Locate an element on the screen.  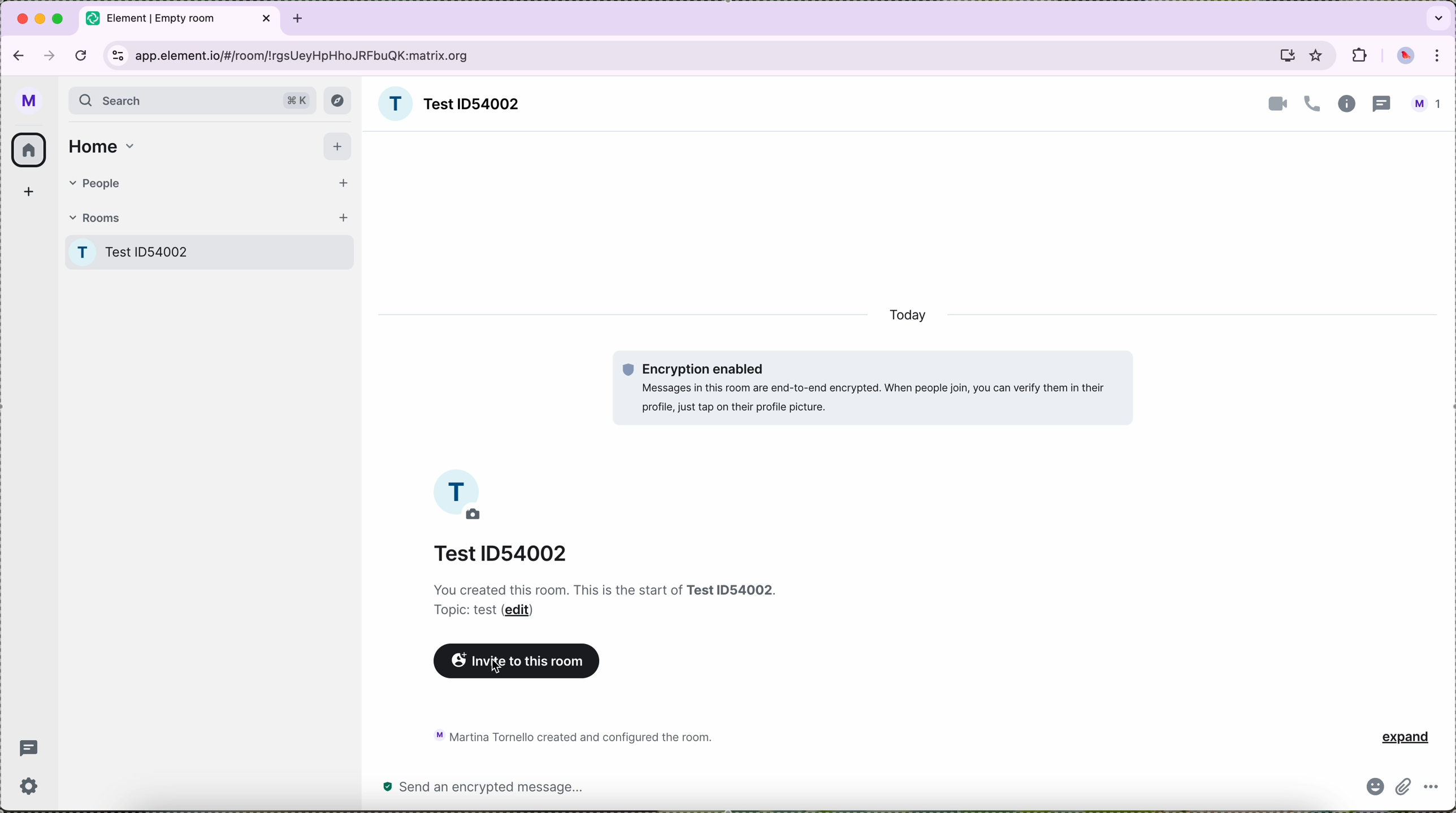
call is located at coordinates (1312, 105).